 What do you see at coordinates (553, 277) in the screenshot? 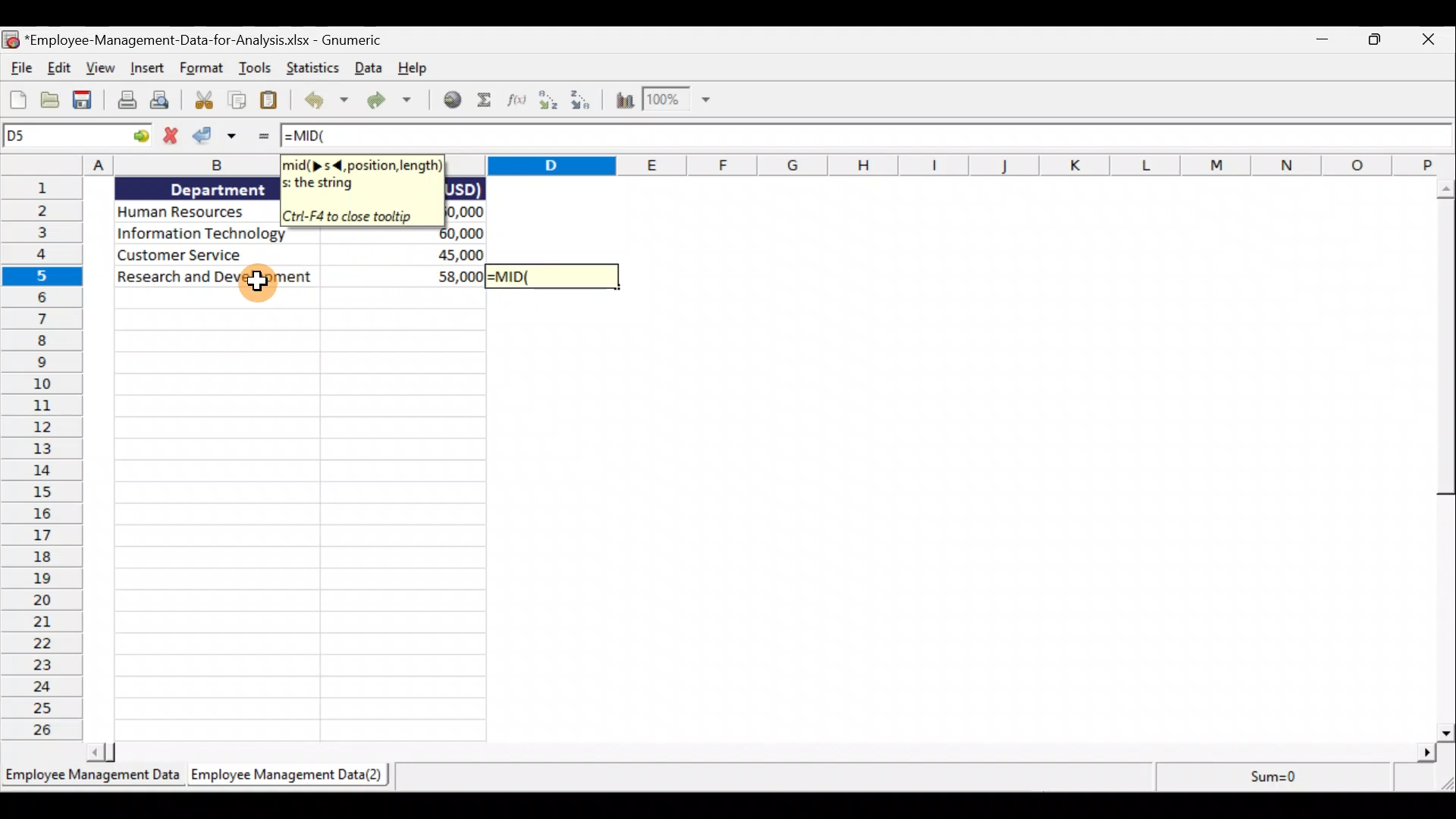
I see `=MID(` at bounding box center [553, 277].